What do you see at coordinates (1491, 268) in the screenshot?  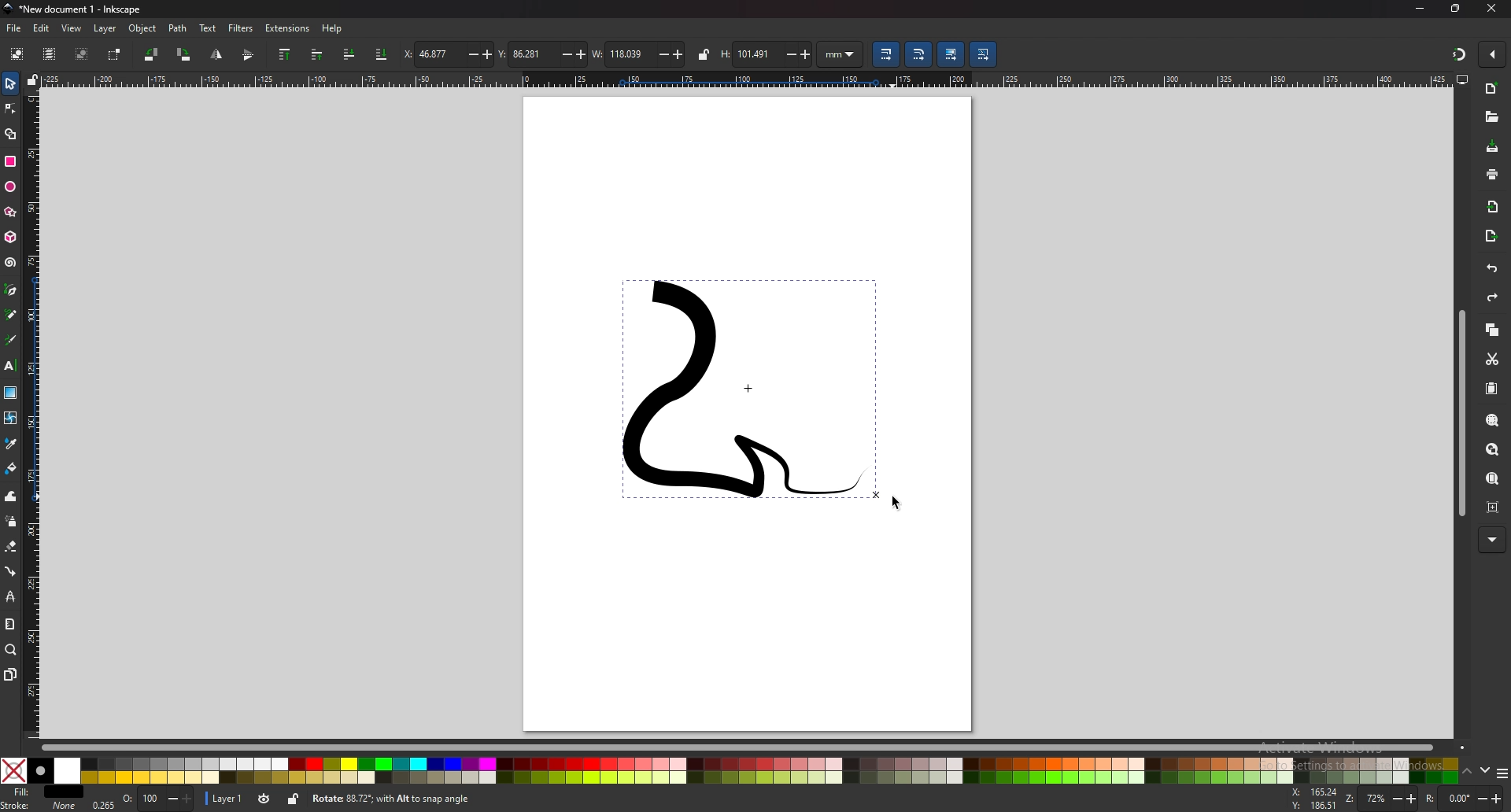 I see `UNDO` at bounding box center [1491, 268].